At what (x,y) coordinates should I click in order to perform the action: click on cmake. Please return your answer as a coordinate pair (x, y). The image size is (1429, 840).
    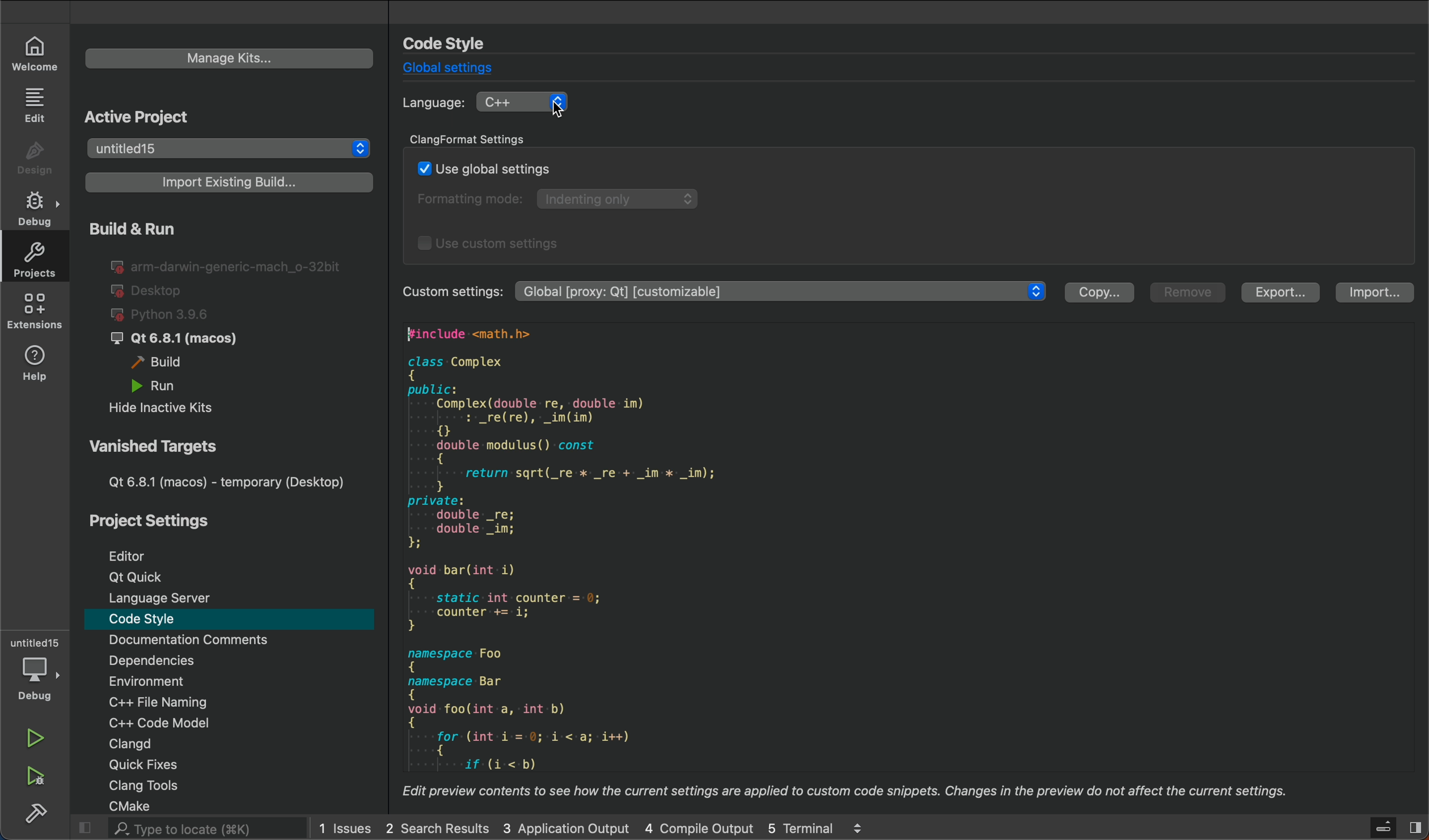
    Looking at the image, I should click on (146, 805).